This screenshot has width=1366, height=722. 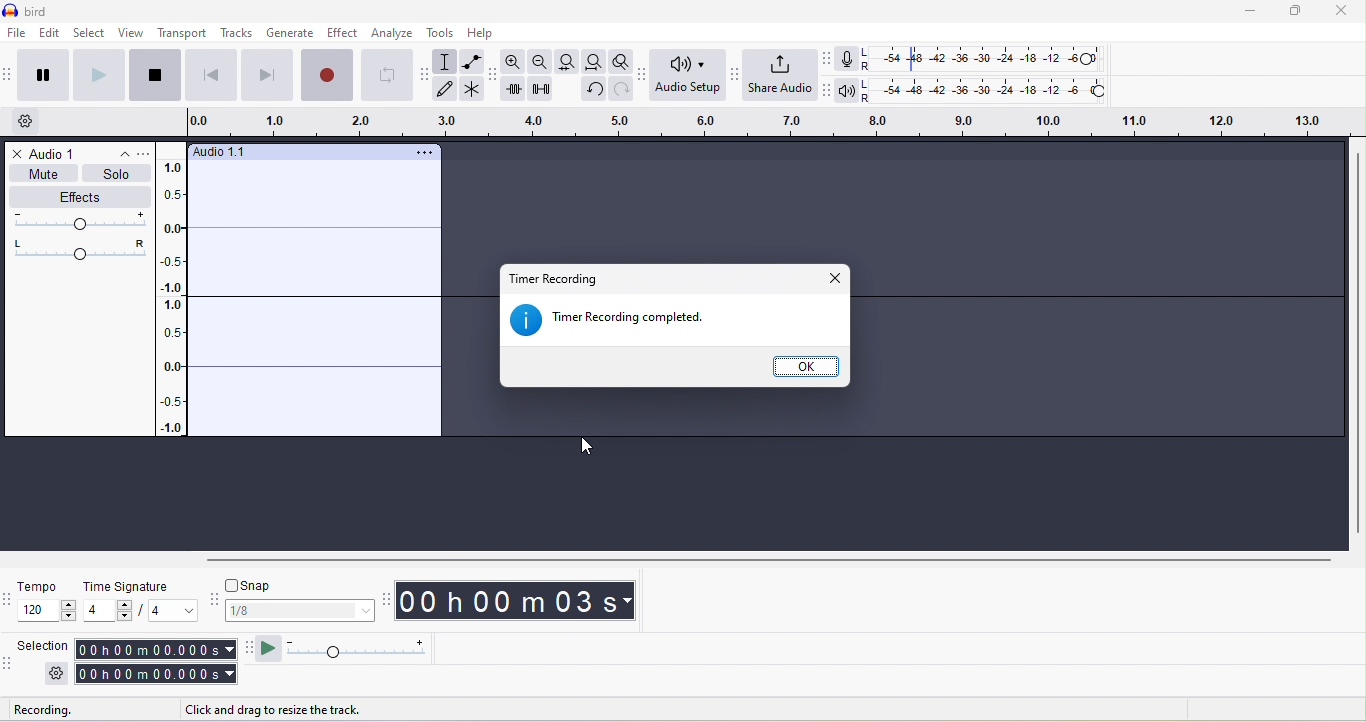 I want to click on play at speed, so click(x=368, y=650).